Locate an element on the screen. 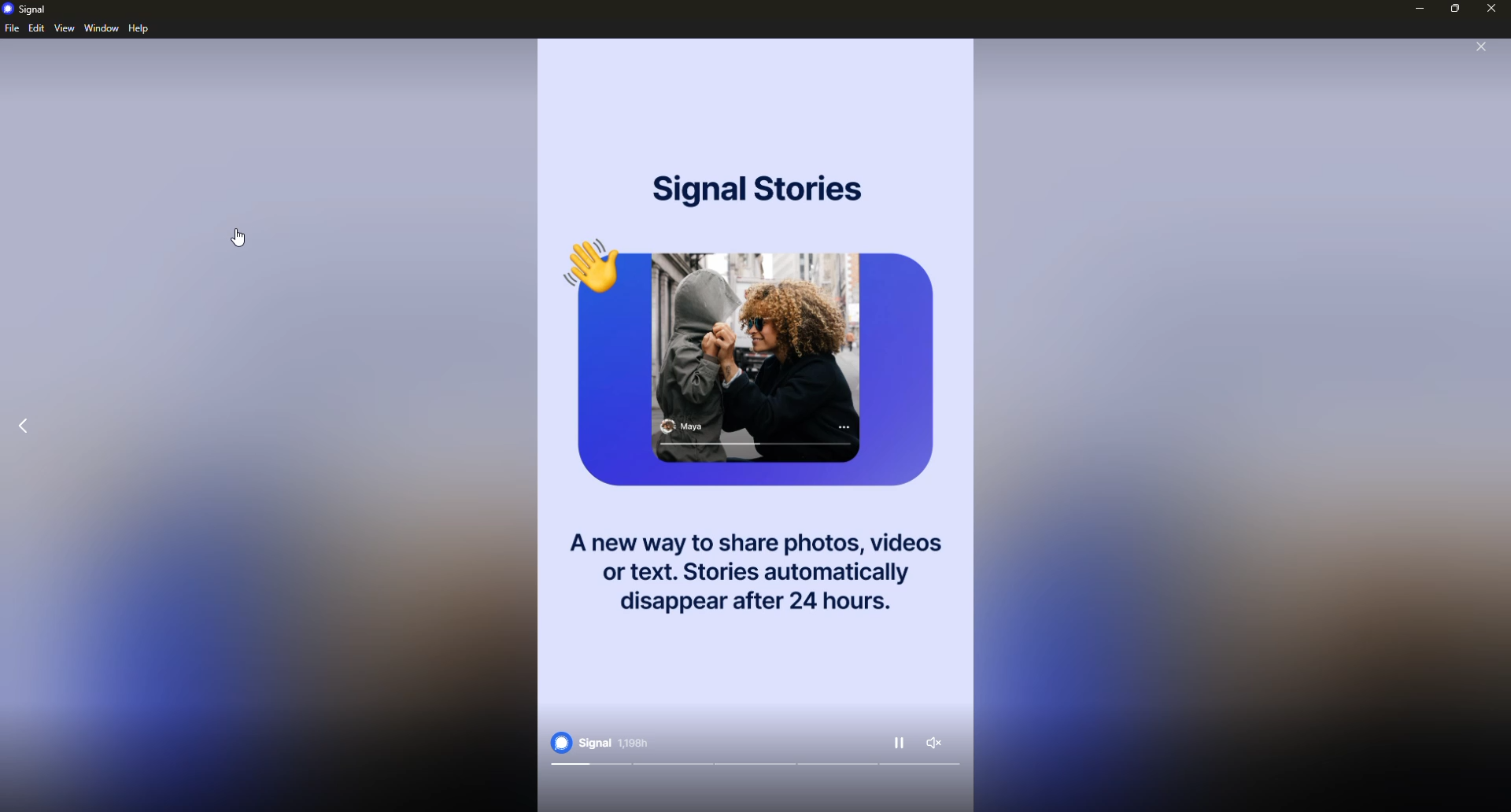  A new way to share photos, videos or text. Stories automatically disappear after 24 hours is located at coordinates (752, 567).